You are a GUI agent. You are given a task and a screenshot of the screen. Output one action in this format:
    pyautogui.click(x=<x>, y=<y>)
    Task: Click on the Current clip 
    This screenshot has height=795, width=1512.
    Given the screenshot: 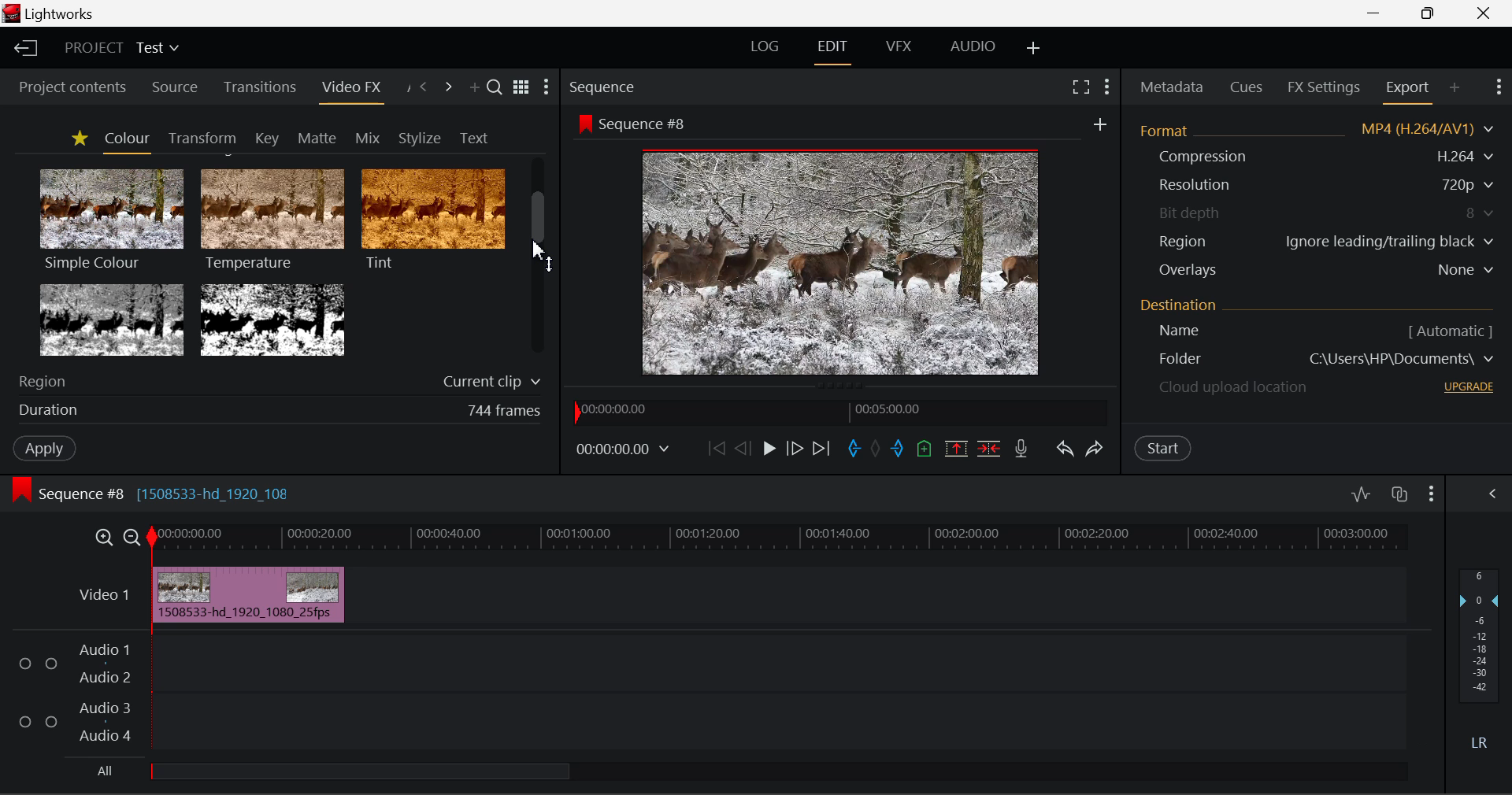 What is the action you would take?
    pyautogui.click(x=489, y=383)
    